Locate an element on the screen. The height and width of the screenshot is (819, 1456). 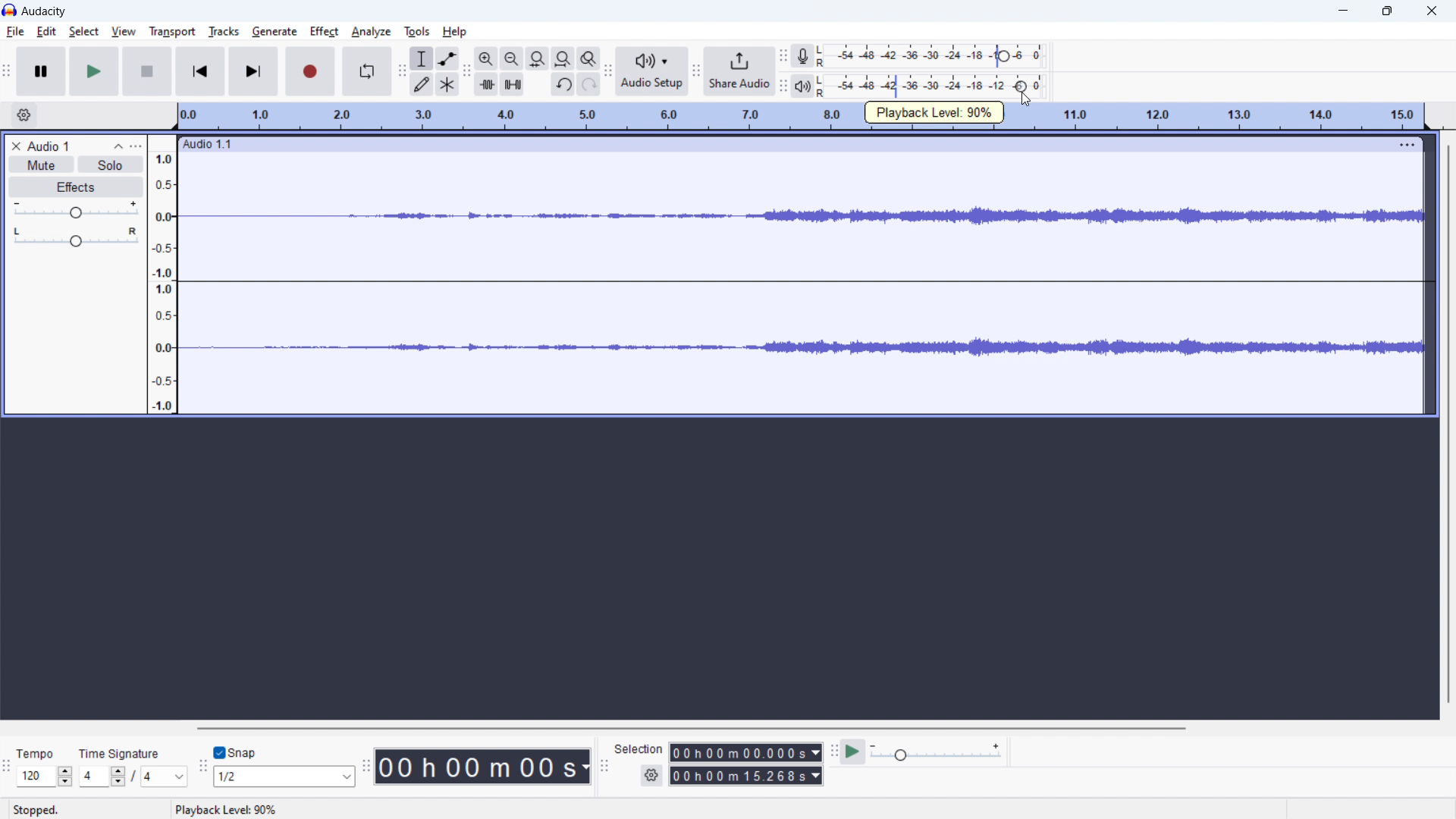
time signature toolbar is located at coordinates (7, 763).